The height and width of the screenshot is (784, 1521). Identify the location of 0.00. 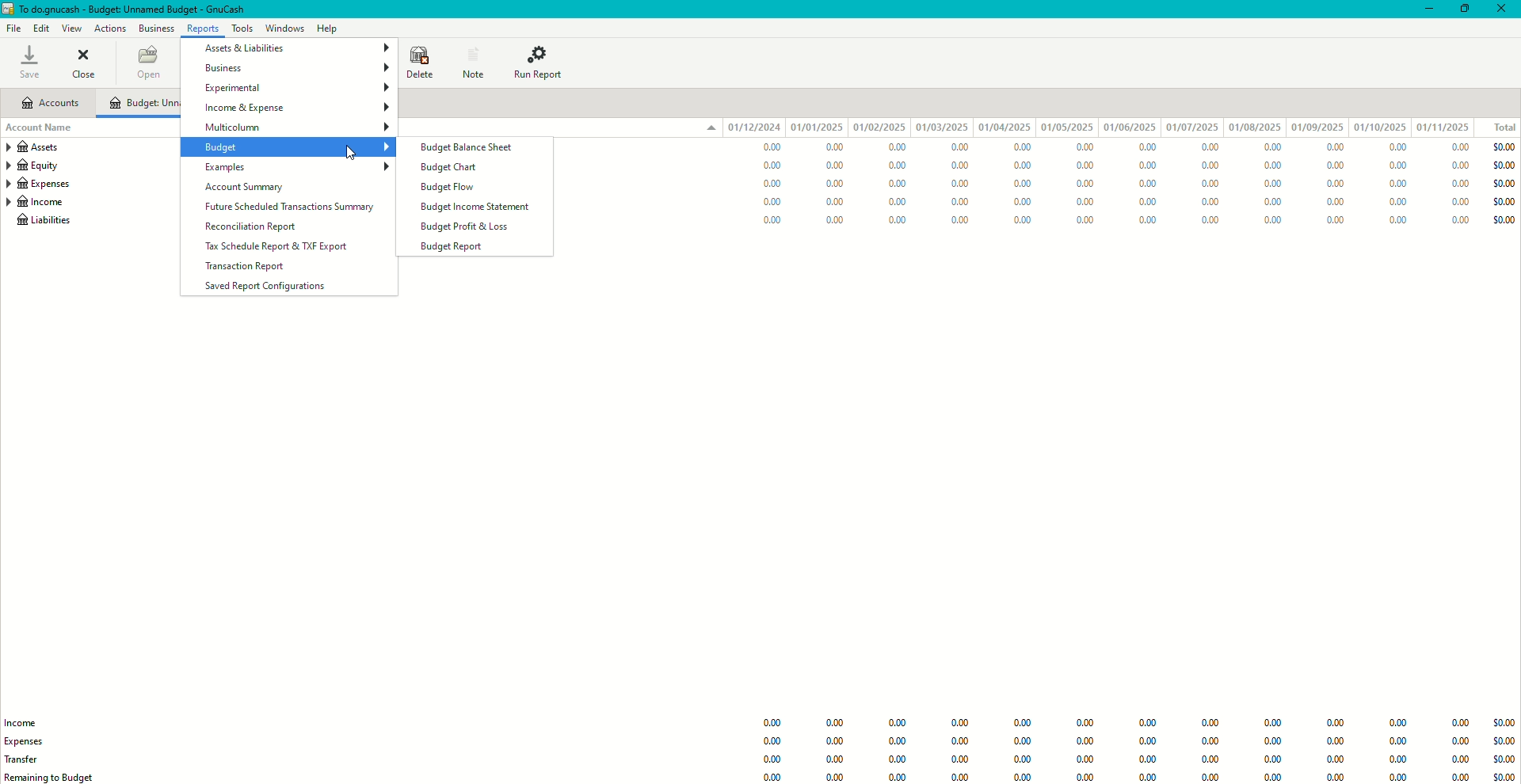
(1458, 147).